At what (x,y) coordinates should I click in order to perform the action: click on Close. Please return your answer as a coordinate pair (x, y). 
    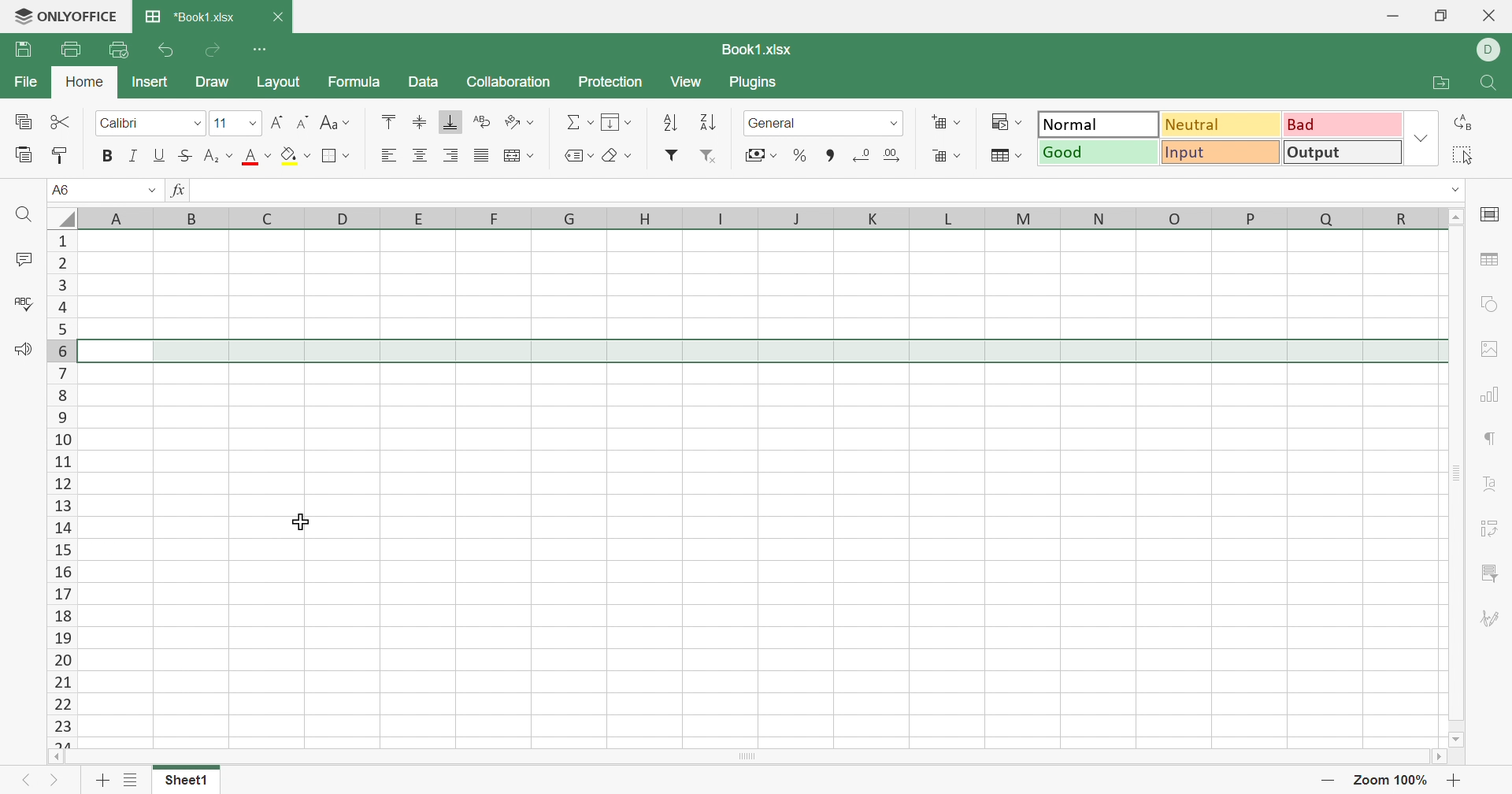
    Looking at the image, I should click on (1491, 15).